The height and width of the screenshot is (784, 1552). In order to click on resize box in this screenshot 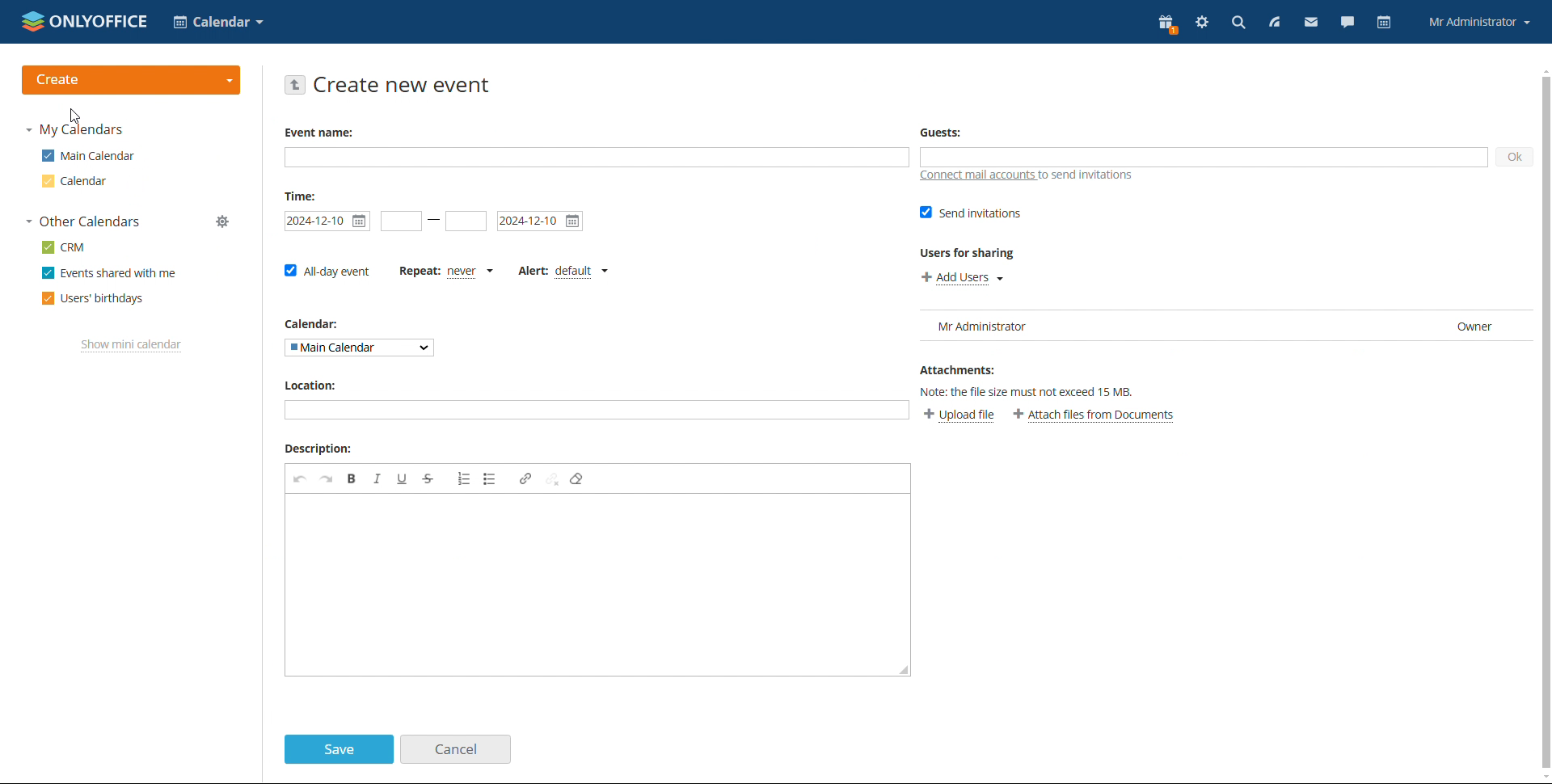, I will do `click(904, 668)`.